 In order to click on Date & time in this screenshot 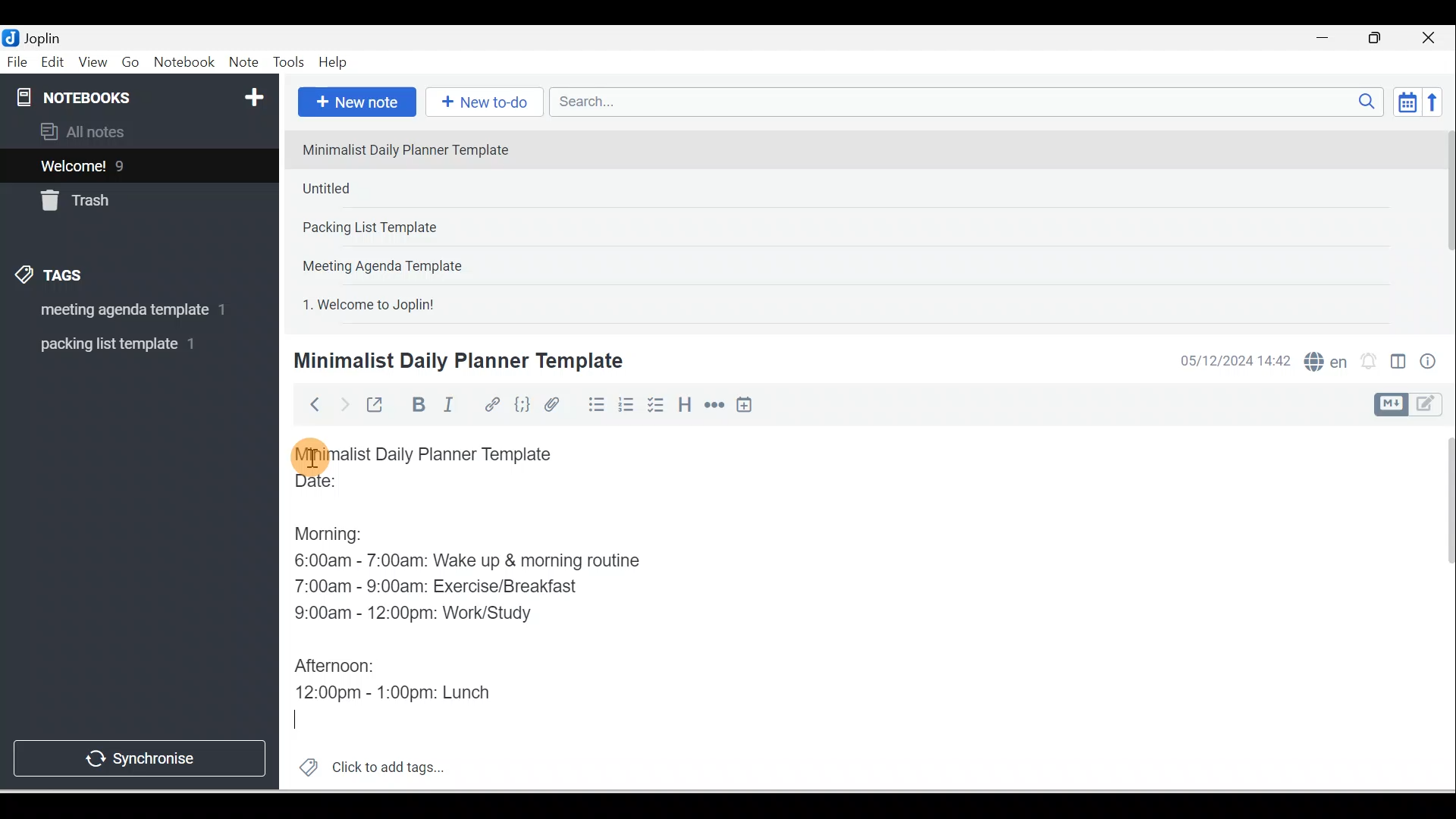, I will do `click(1232, 361)`.